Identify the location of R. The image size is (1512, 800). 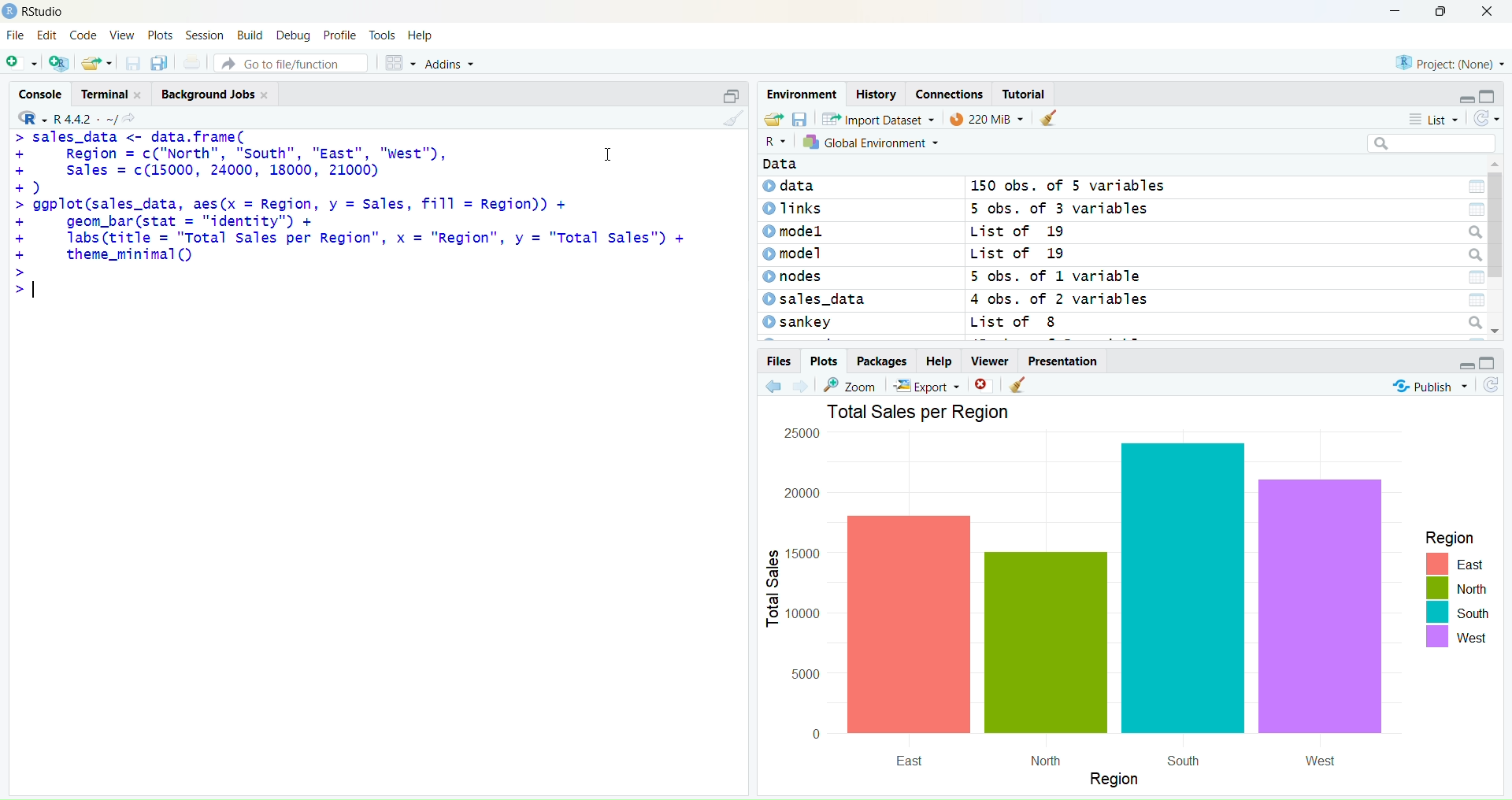
(773, 145).